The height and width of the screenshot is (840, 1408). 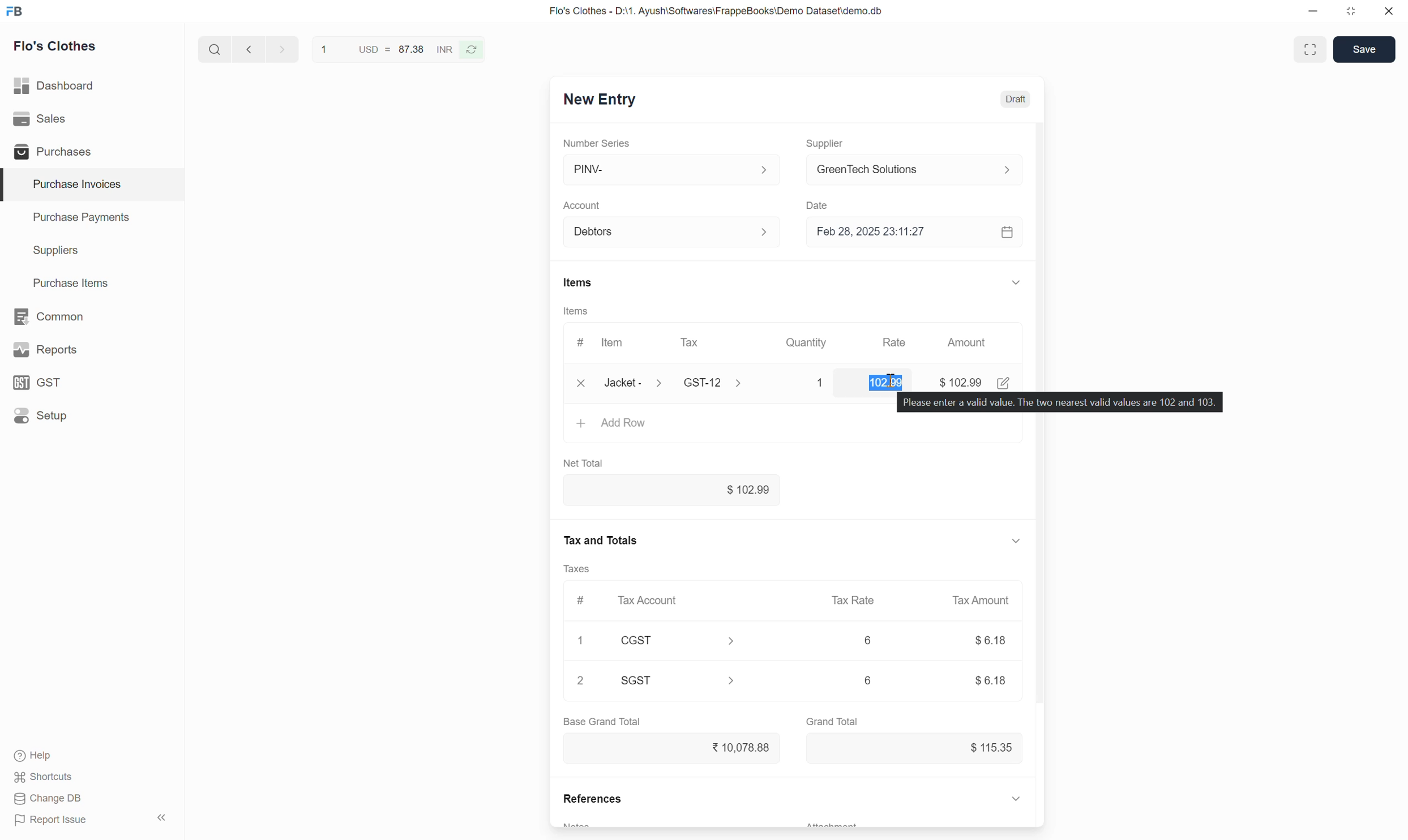 I want to click on $ 102.99, so click(x=960, y=383).